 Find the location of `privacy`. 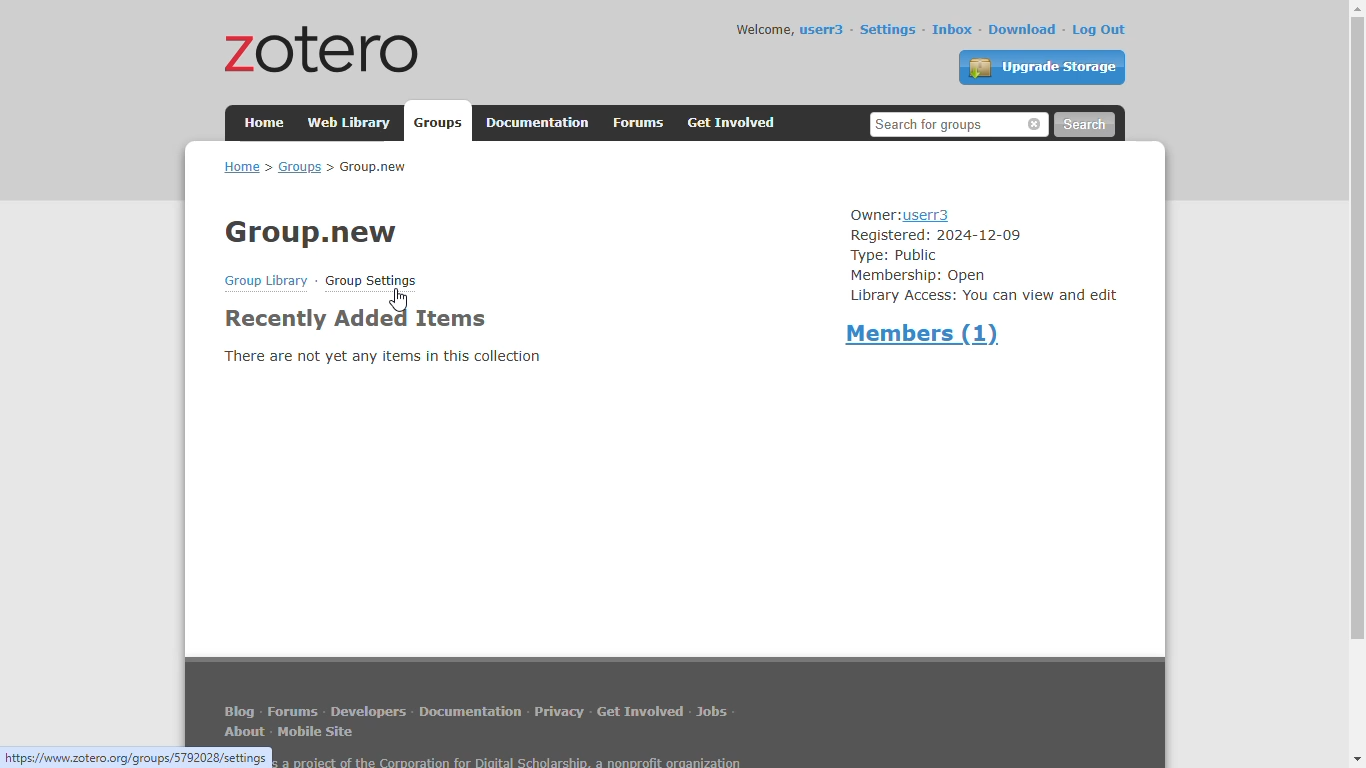

privacy is located at coordinates (559, 711).